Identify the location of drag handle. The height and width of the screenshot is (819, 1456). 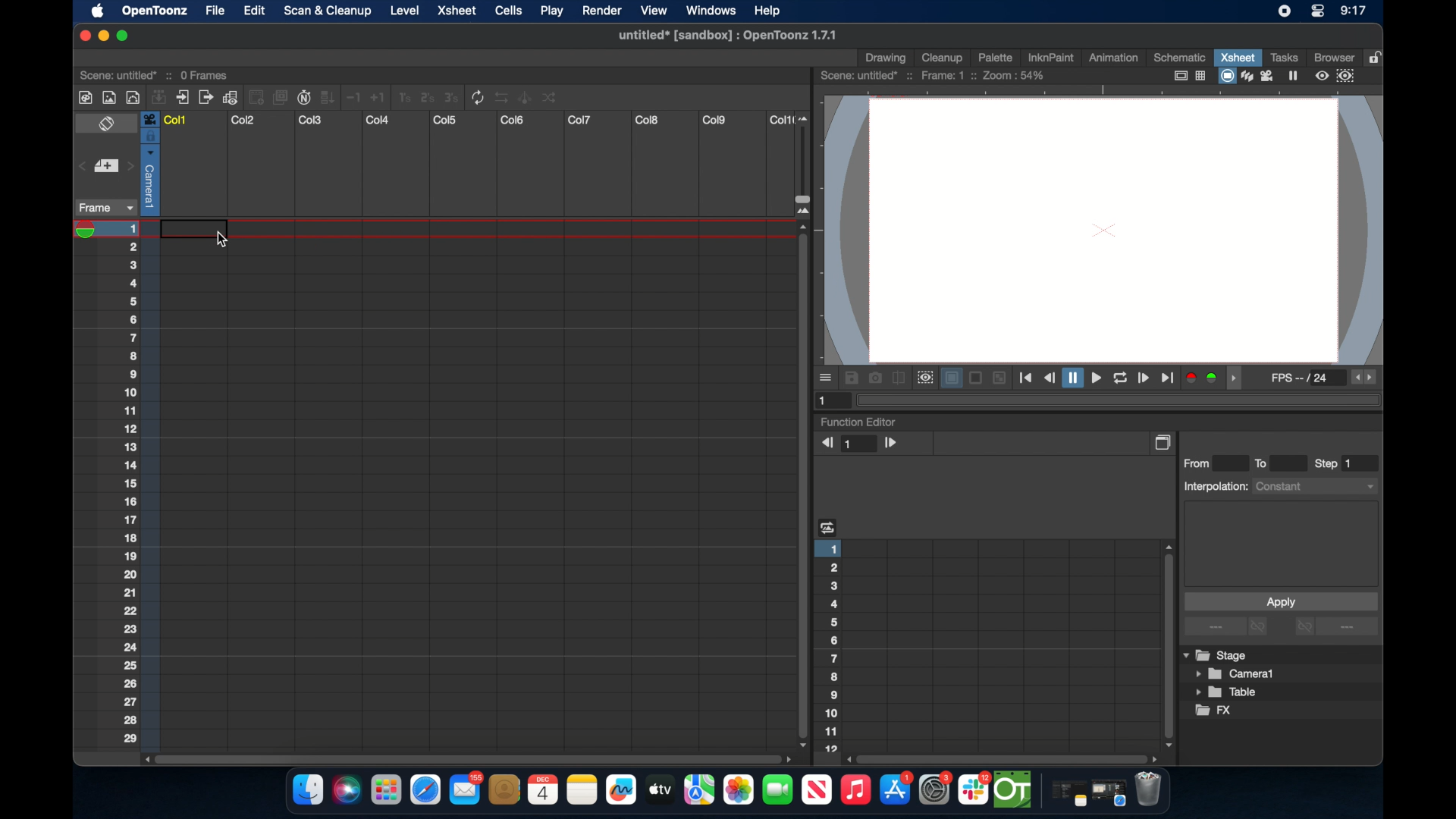
(1238, 378).